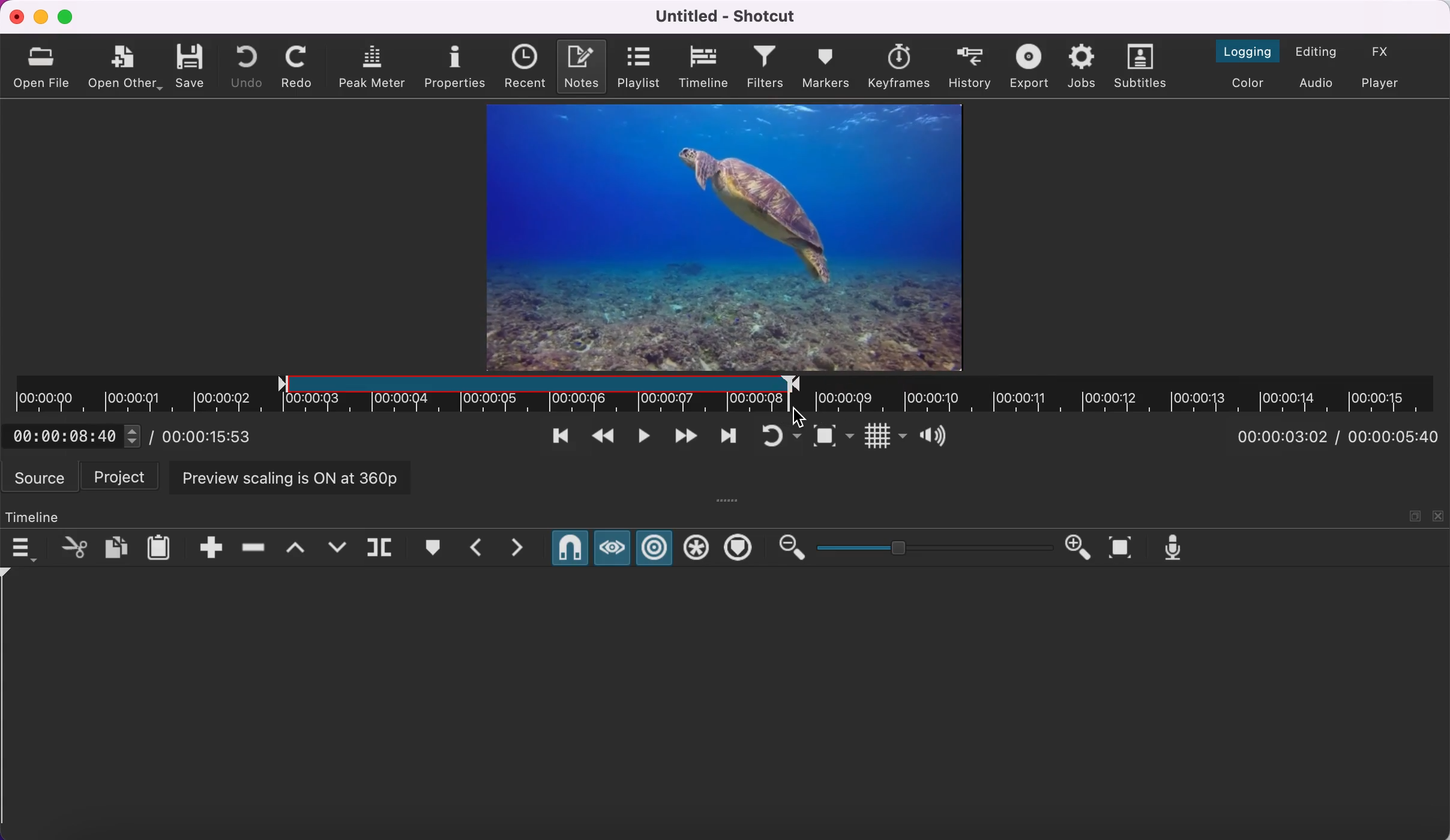 The height and width of the screenshot is (840, 1450). What do you see at coordinates (1386, 85) in the screenshot?
I see `switch to player only layout` at bounding box center [1386, 85].